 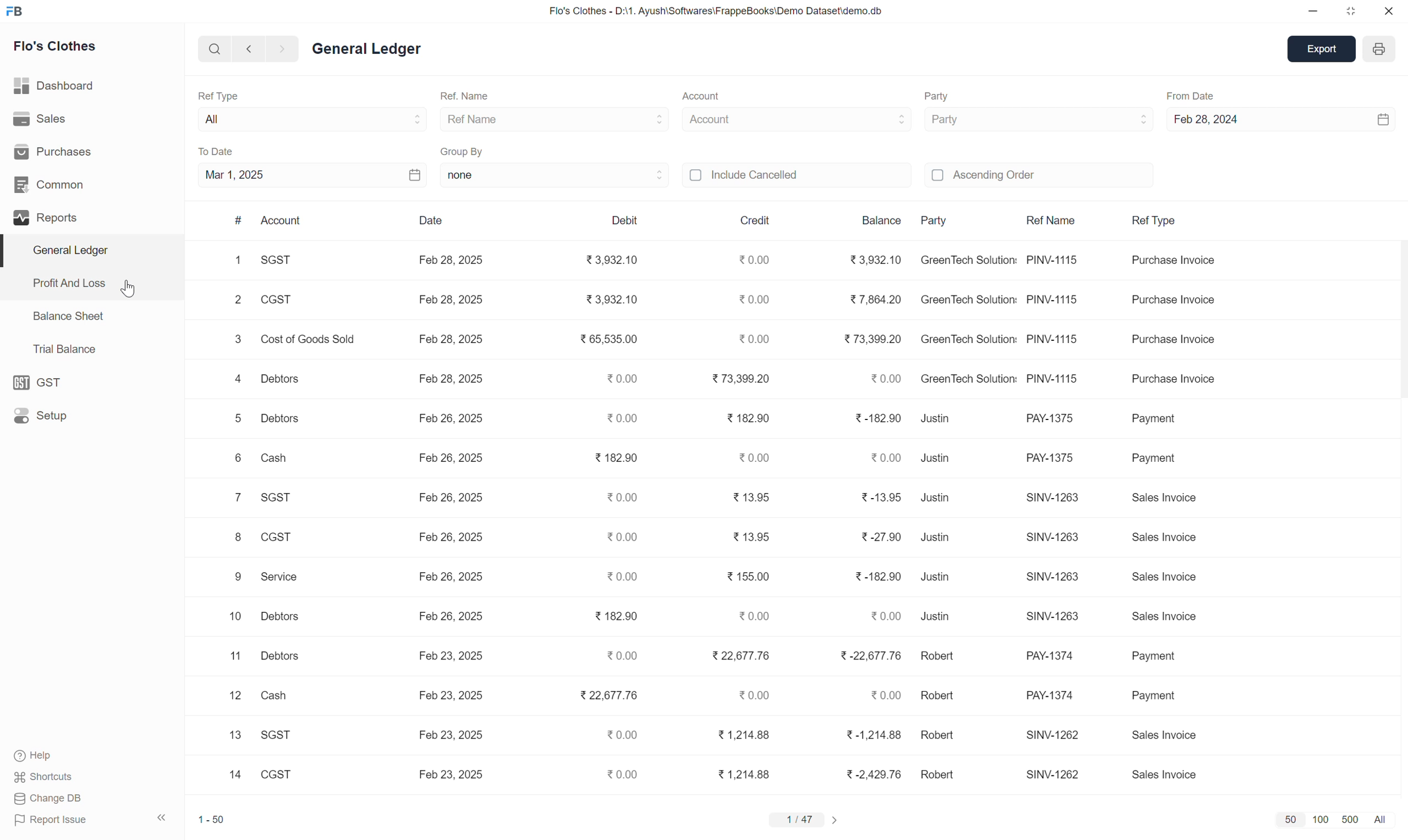 I want to click on ₹3,932.10, so click(x=611, y=260).